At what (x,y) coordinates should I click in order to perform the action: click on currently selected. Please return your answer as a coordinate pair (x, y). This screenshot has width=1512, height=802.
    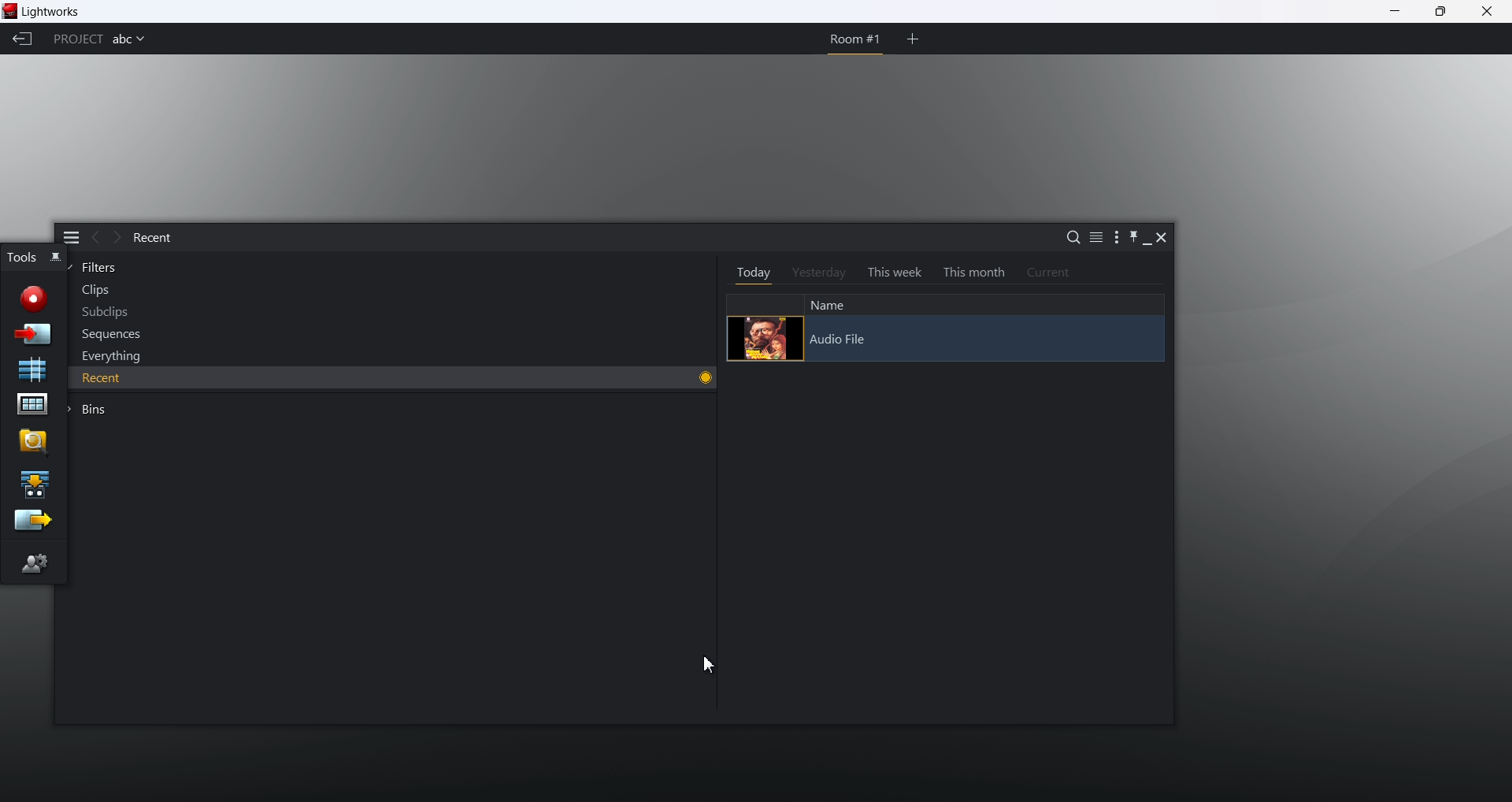
    Looking at the image, I should click on (699, 377).